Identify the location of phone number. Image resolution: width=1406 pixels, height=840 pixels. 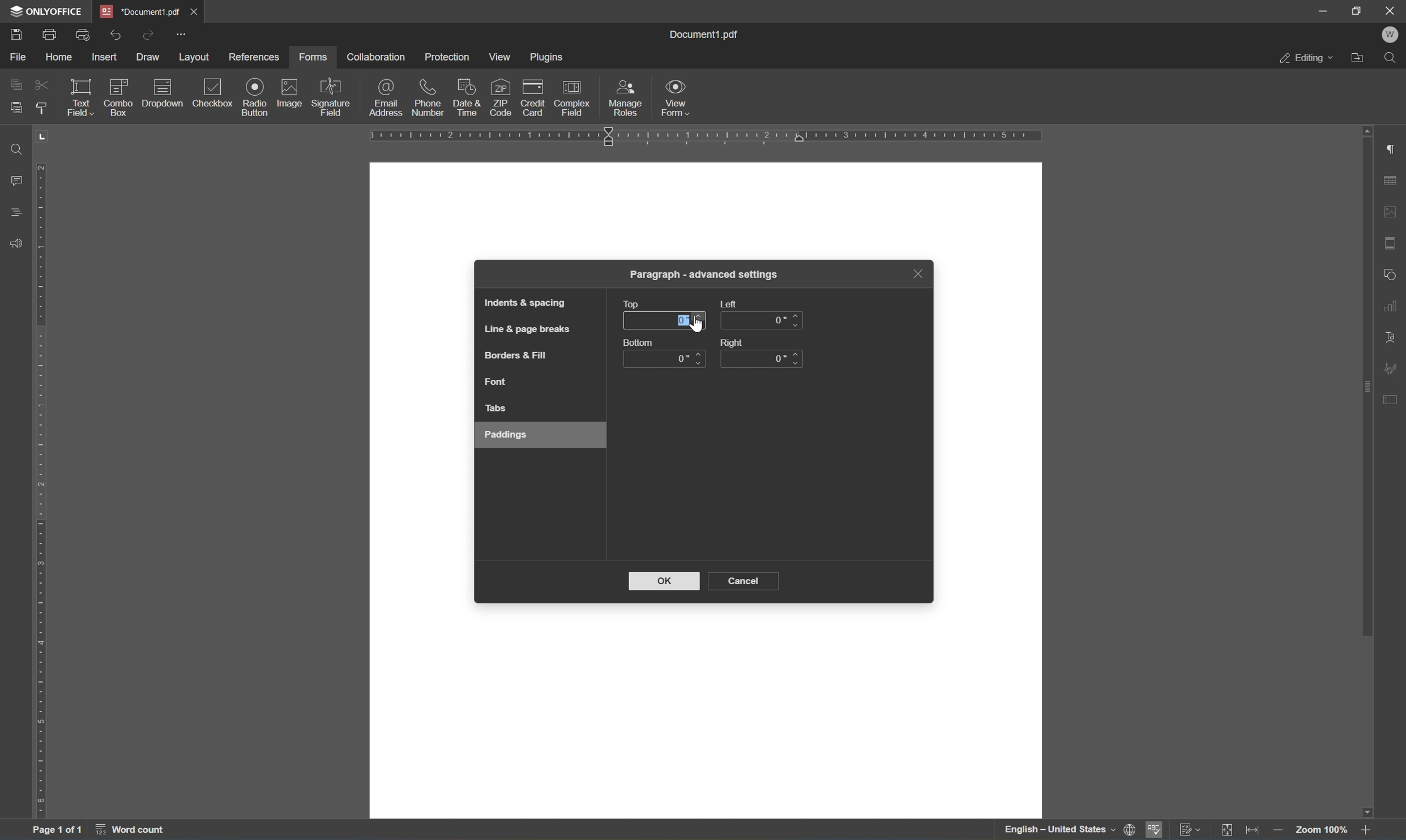
(426, 98).